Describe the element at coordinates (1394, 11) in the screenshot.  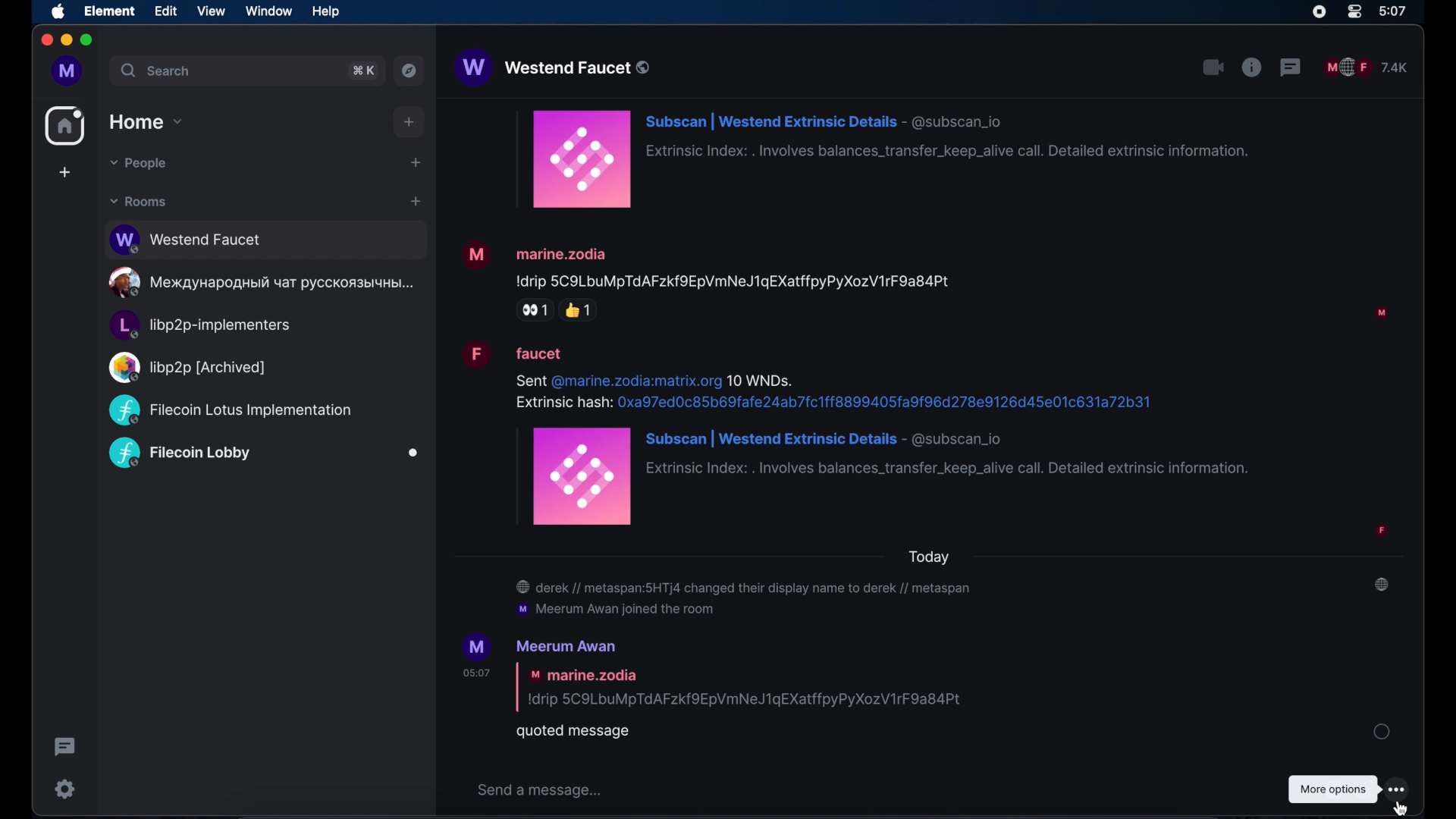
I see `time` at that location.